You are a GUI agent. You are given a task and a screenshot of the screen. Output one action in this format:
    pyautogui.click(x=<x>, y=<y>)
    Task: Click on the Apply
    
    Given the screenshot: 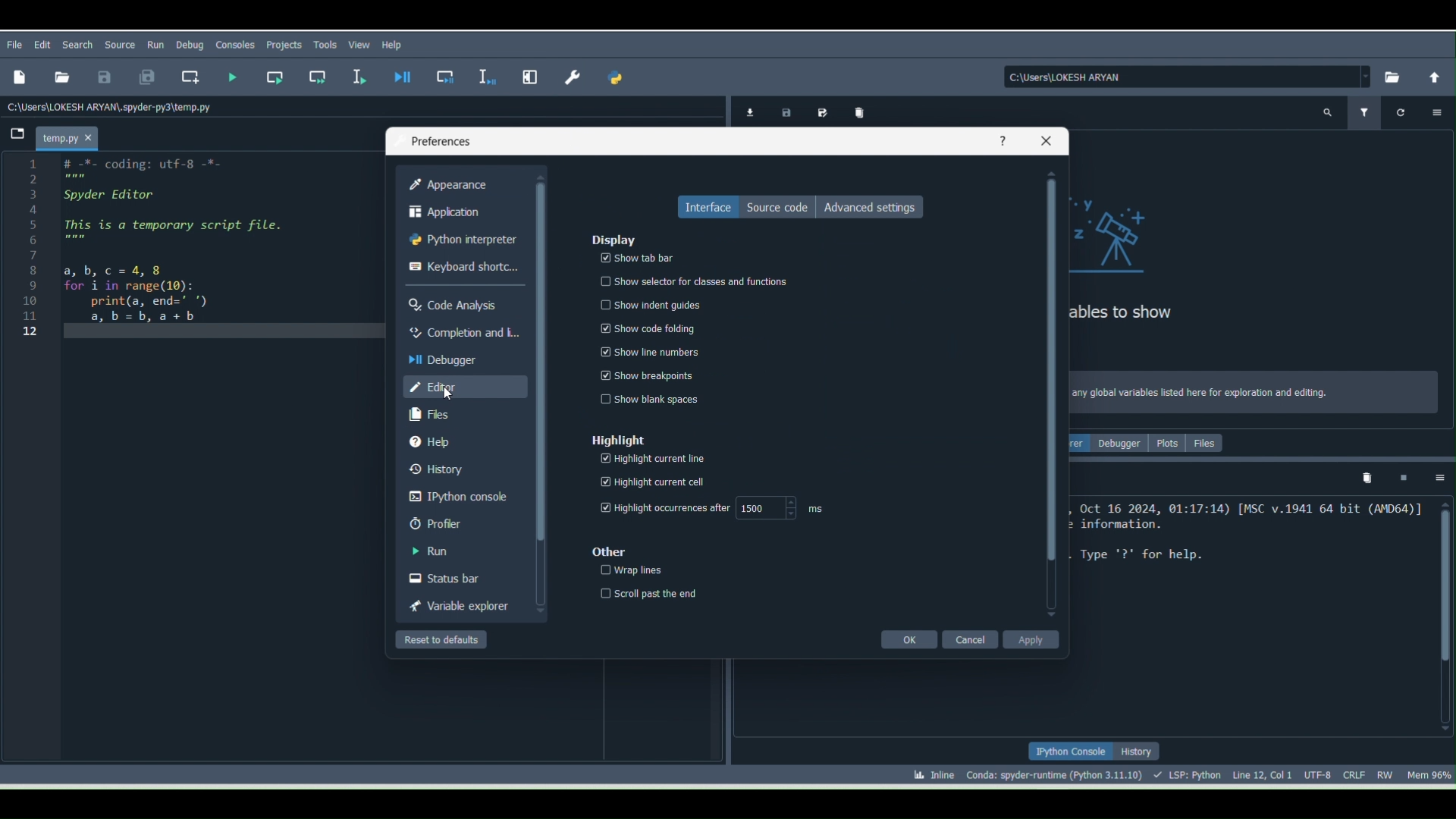 What is the action you would take?
    pyautogui.click(x=1030, y=638)
    